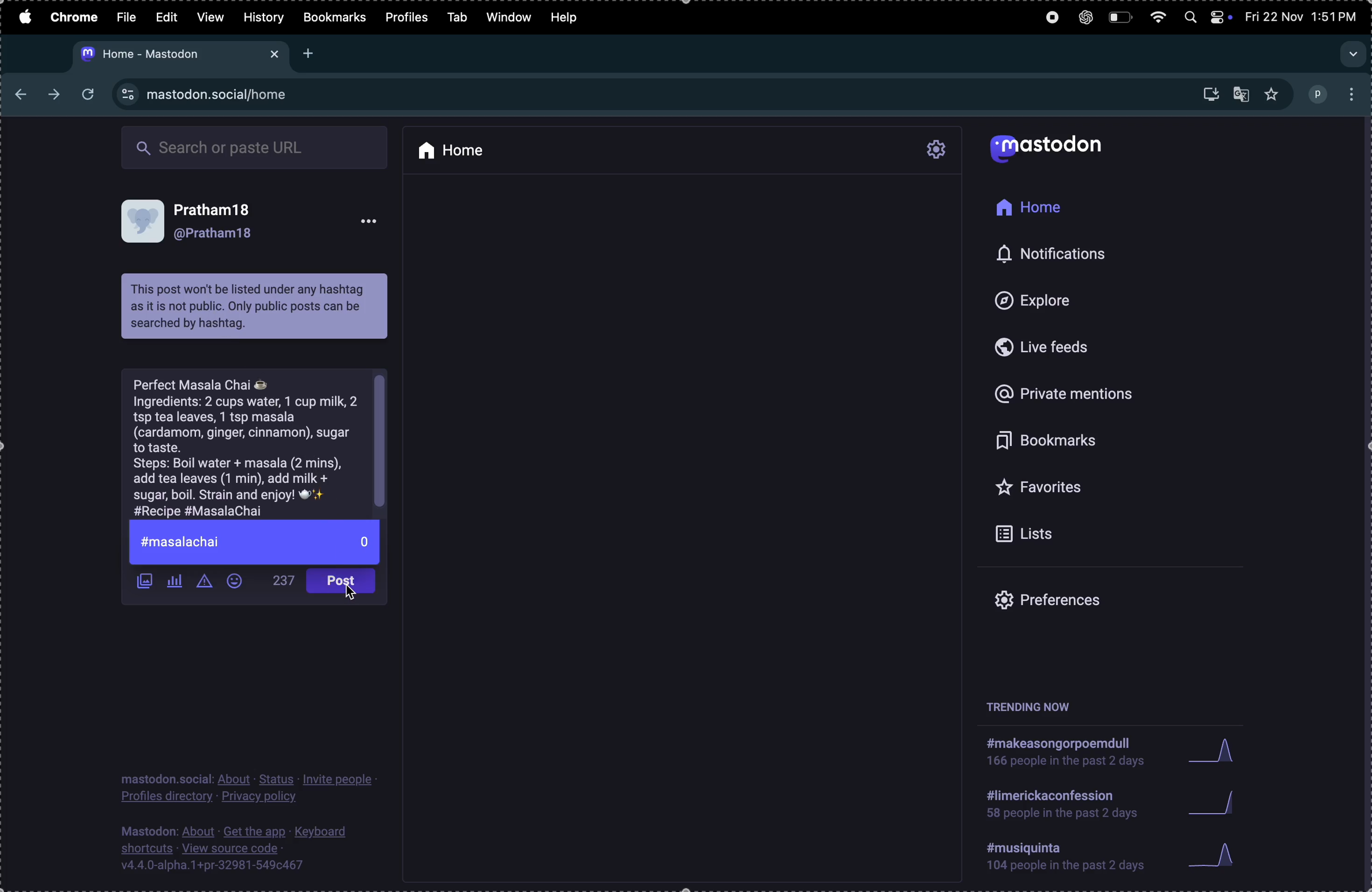 The width and height of the screenshot is (1372, 892). I want to click on add image, so click(141, 580).